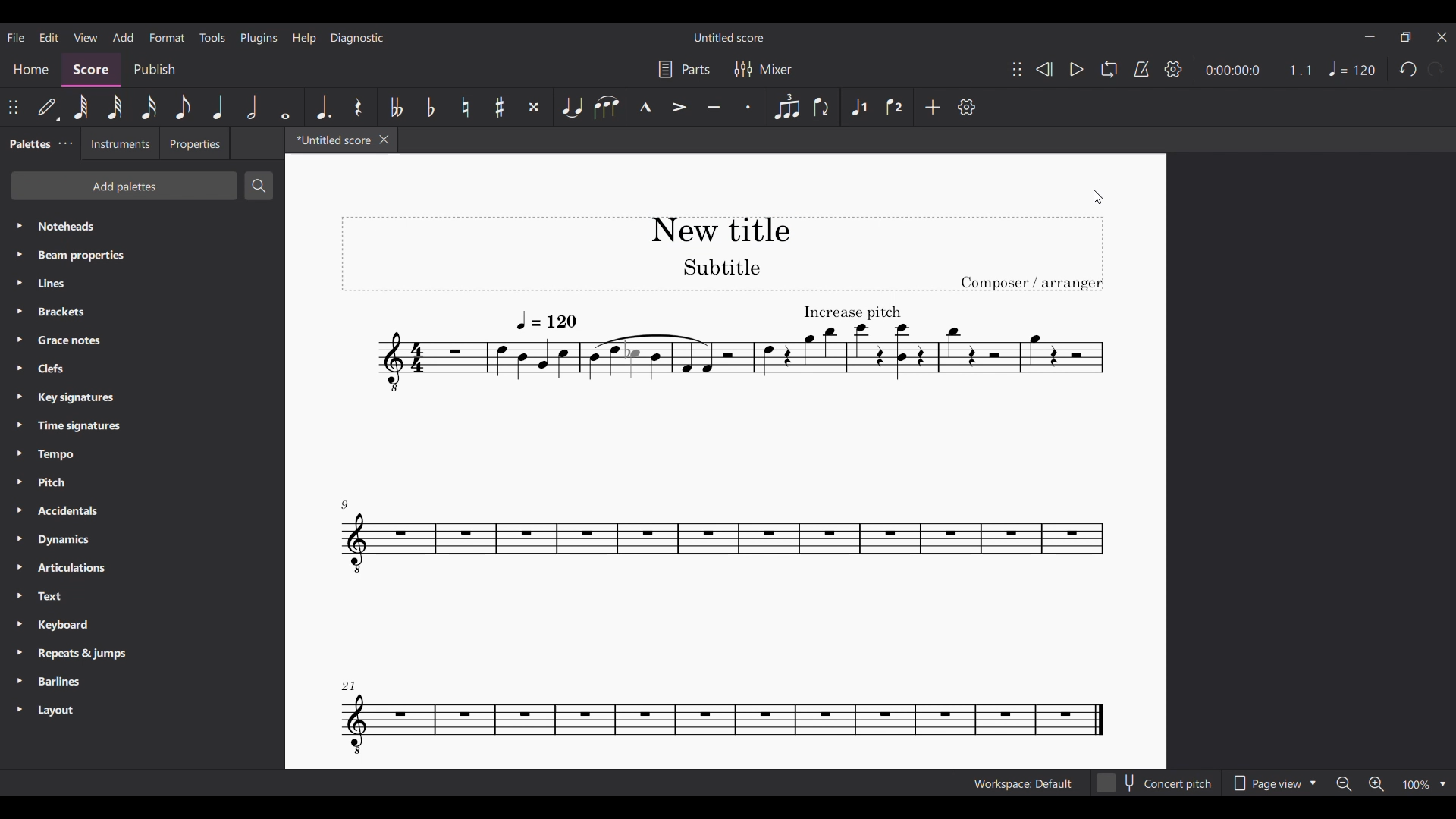 Image resolution: width=1456 pixels, height=819 pixels. What do you see at coordinates (13, 107) in the screenshot?
I see `Change position ` at bounding box center [13, 107].